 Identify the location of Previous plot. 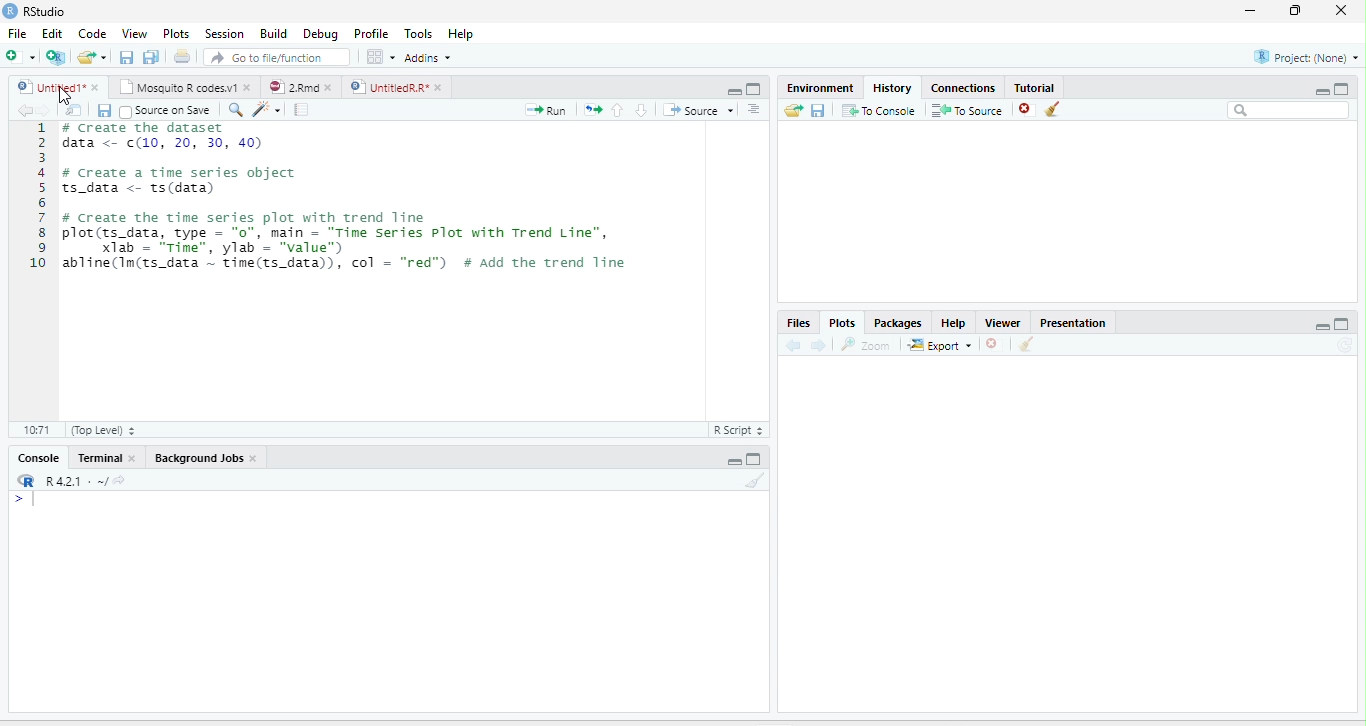
(793, 344).